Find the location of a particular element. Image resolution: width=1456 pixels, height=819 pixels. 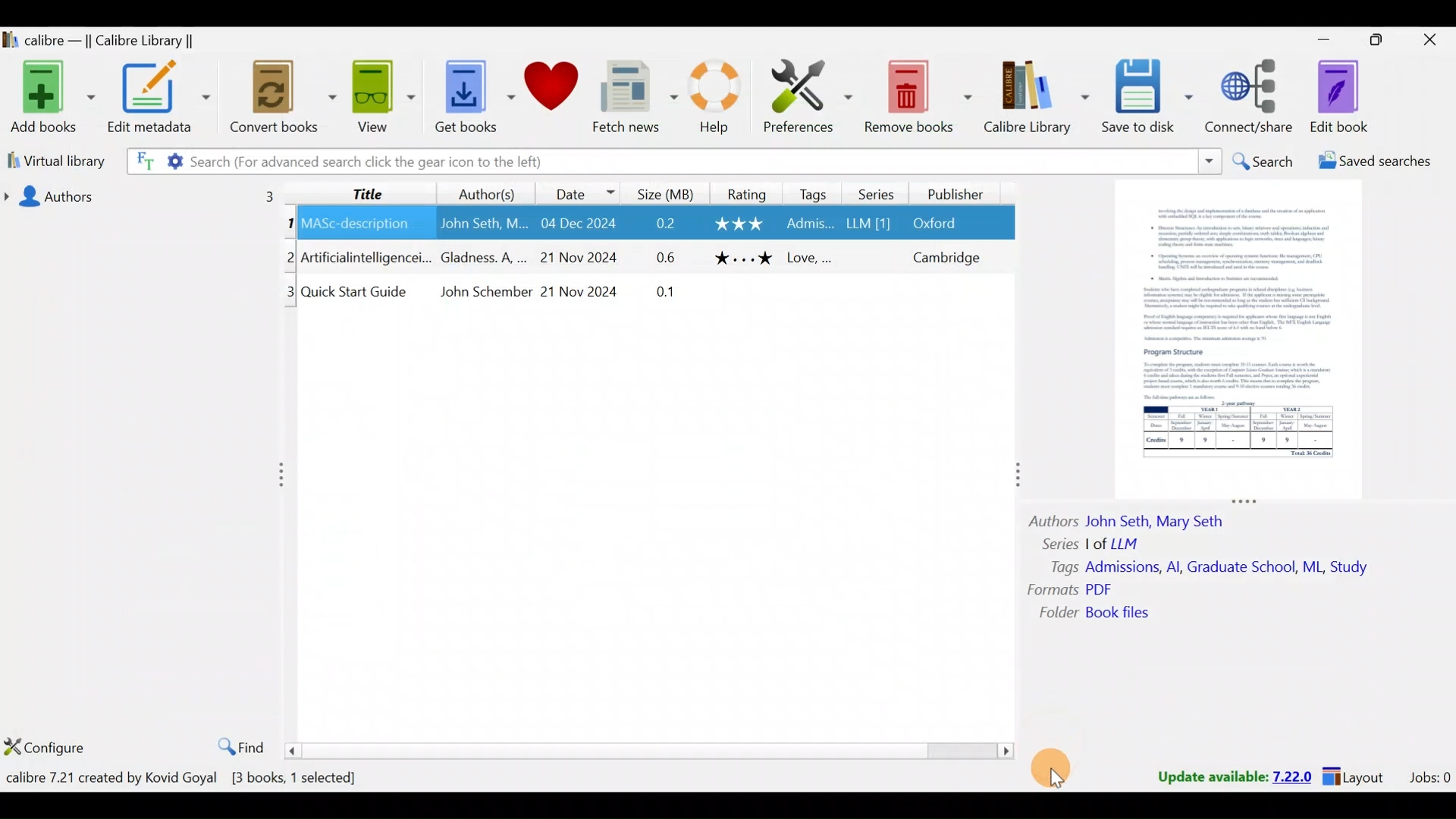

 is located at coordinates (949, 257).